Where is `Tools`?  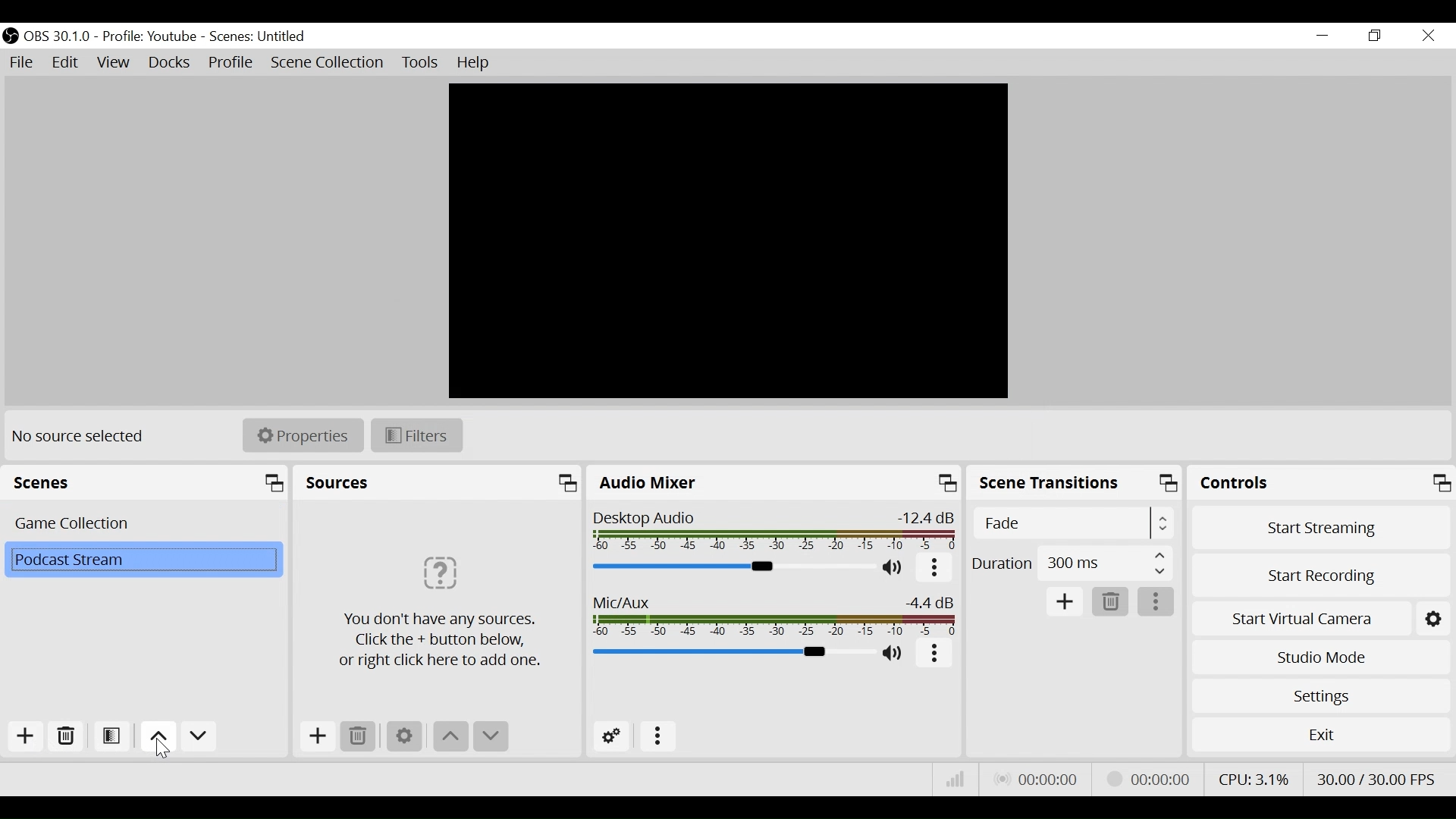
Tools is located at coordinates (420, 63).